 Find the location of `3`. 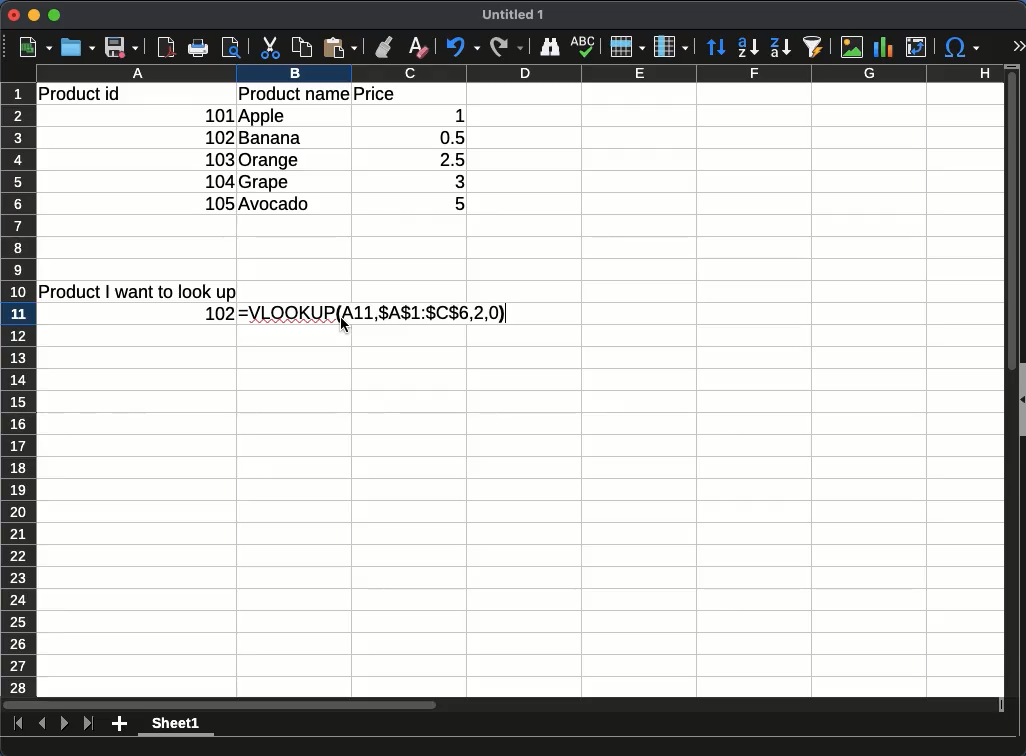

3 is located at coordinates (450, 182).